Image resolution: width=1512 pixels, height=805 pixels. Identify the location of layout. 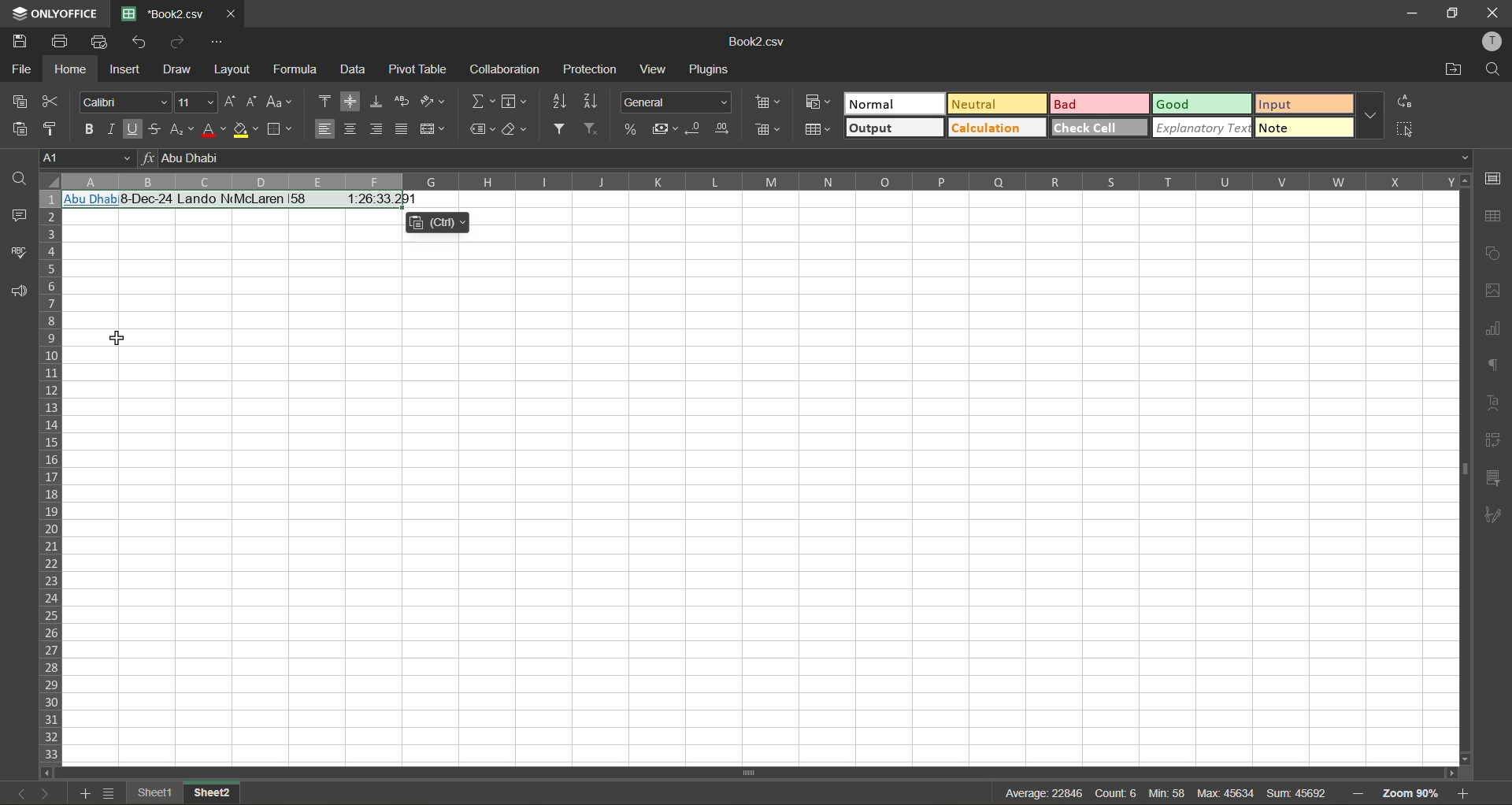
(236, 69).